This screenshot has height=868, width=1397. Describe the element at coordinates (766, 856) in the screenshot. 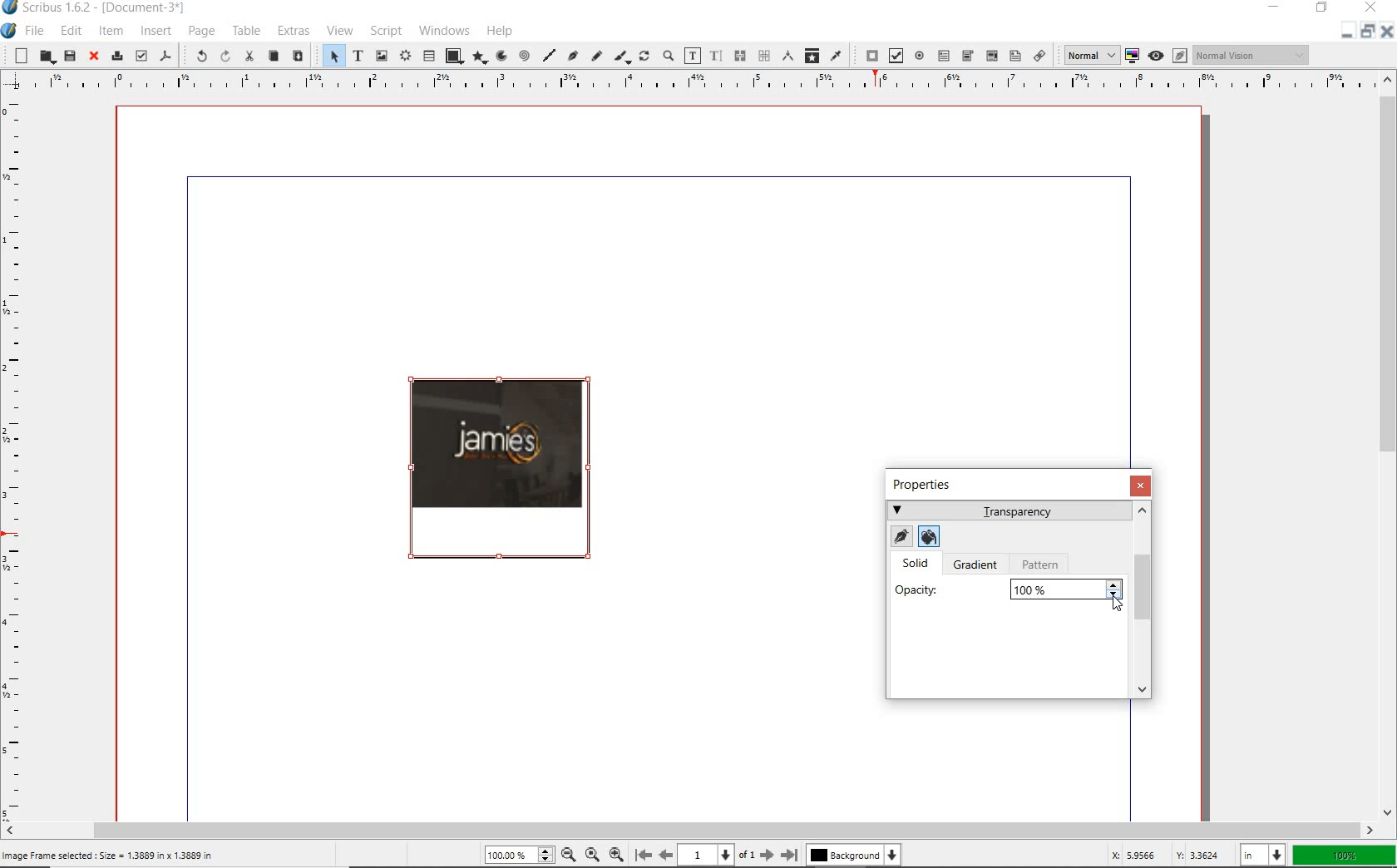

I see `next` at that location.